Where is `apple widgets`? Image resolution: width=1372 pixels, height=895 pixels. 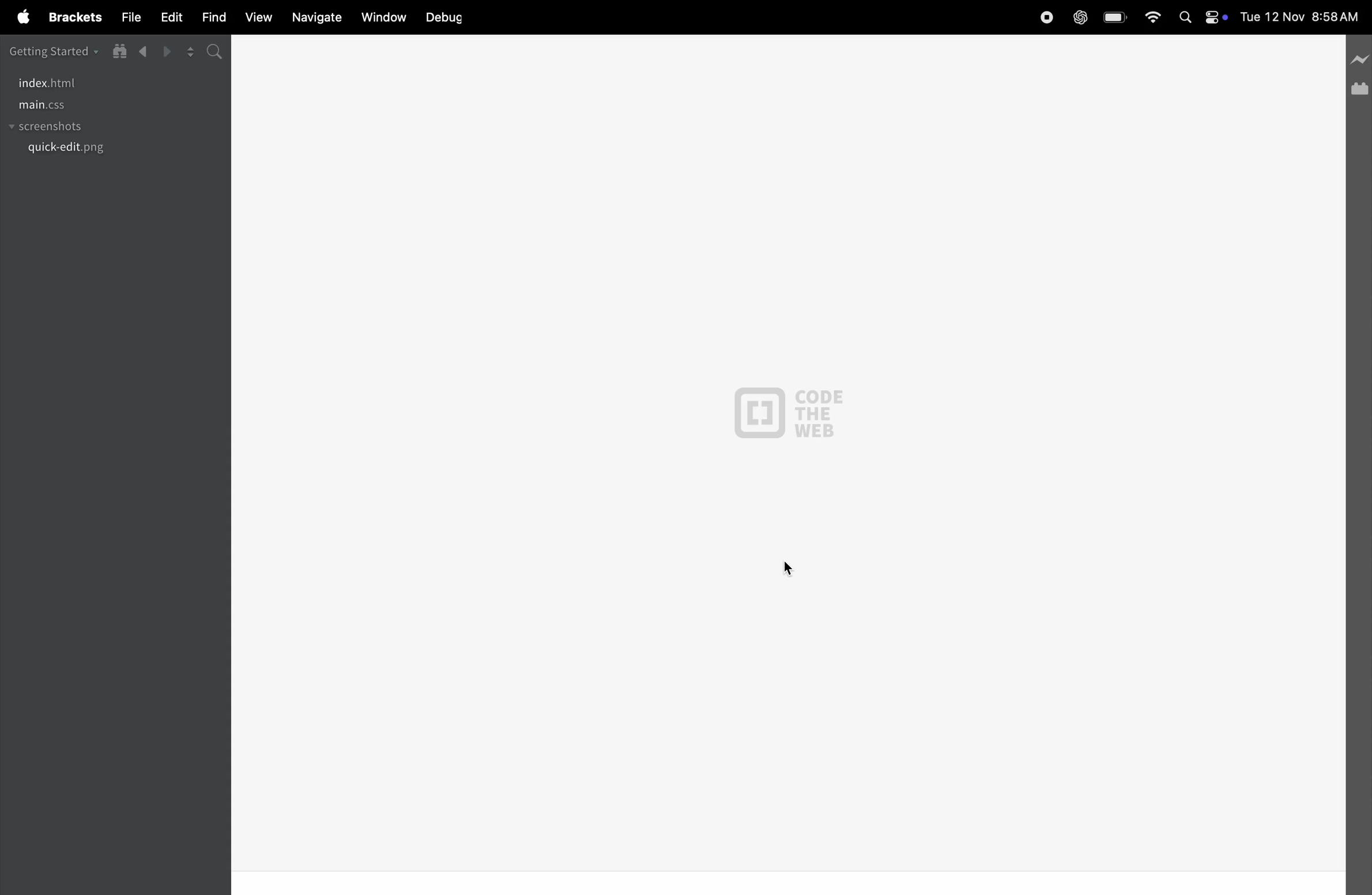 apple widgets is located at coordinates (1203, 16).